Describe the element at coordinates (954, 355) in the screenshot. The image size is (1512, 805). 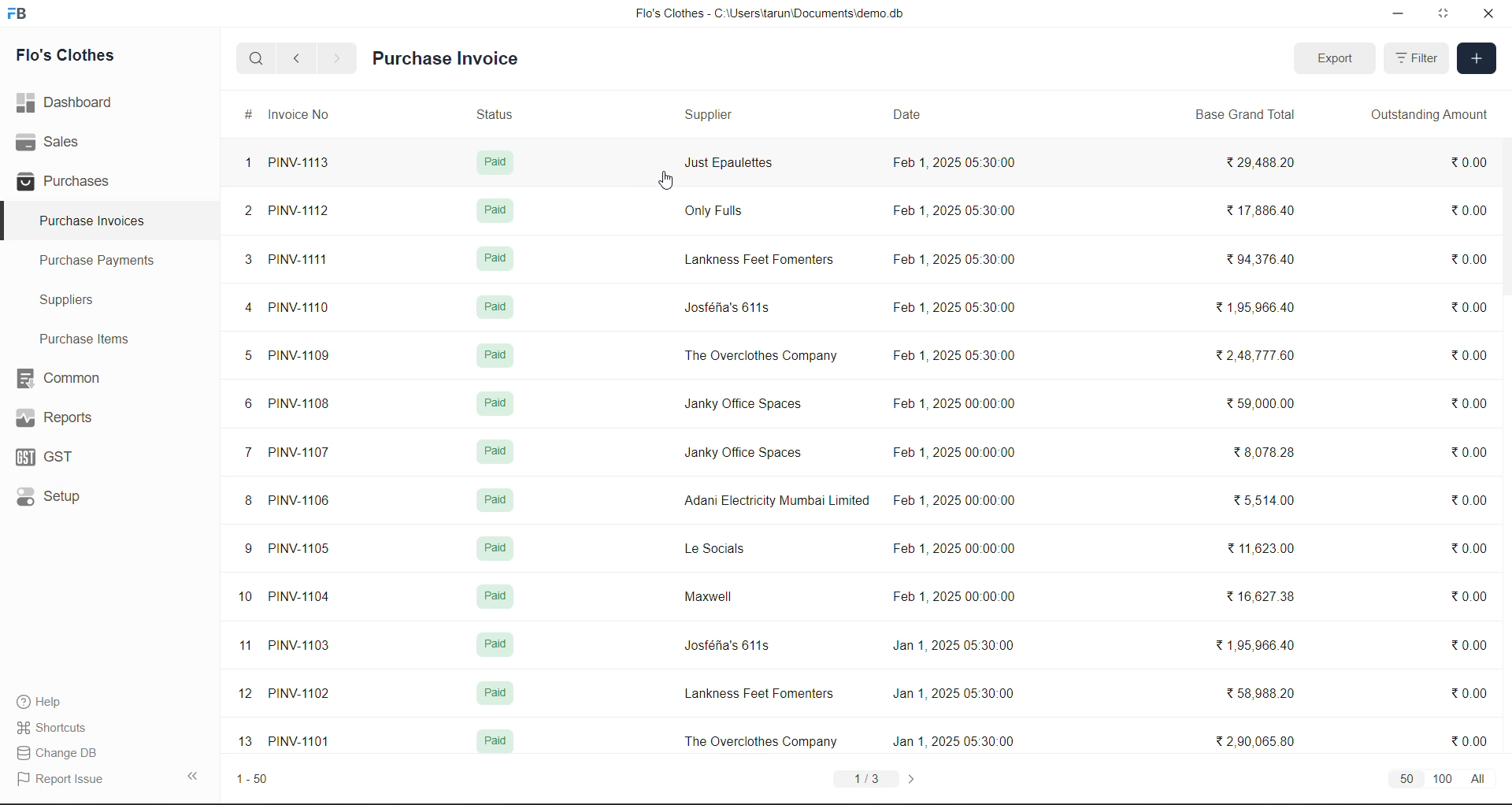
I see `Feb 1, 2025 05:30:00` at that location.